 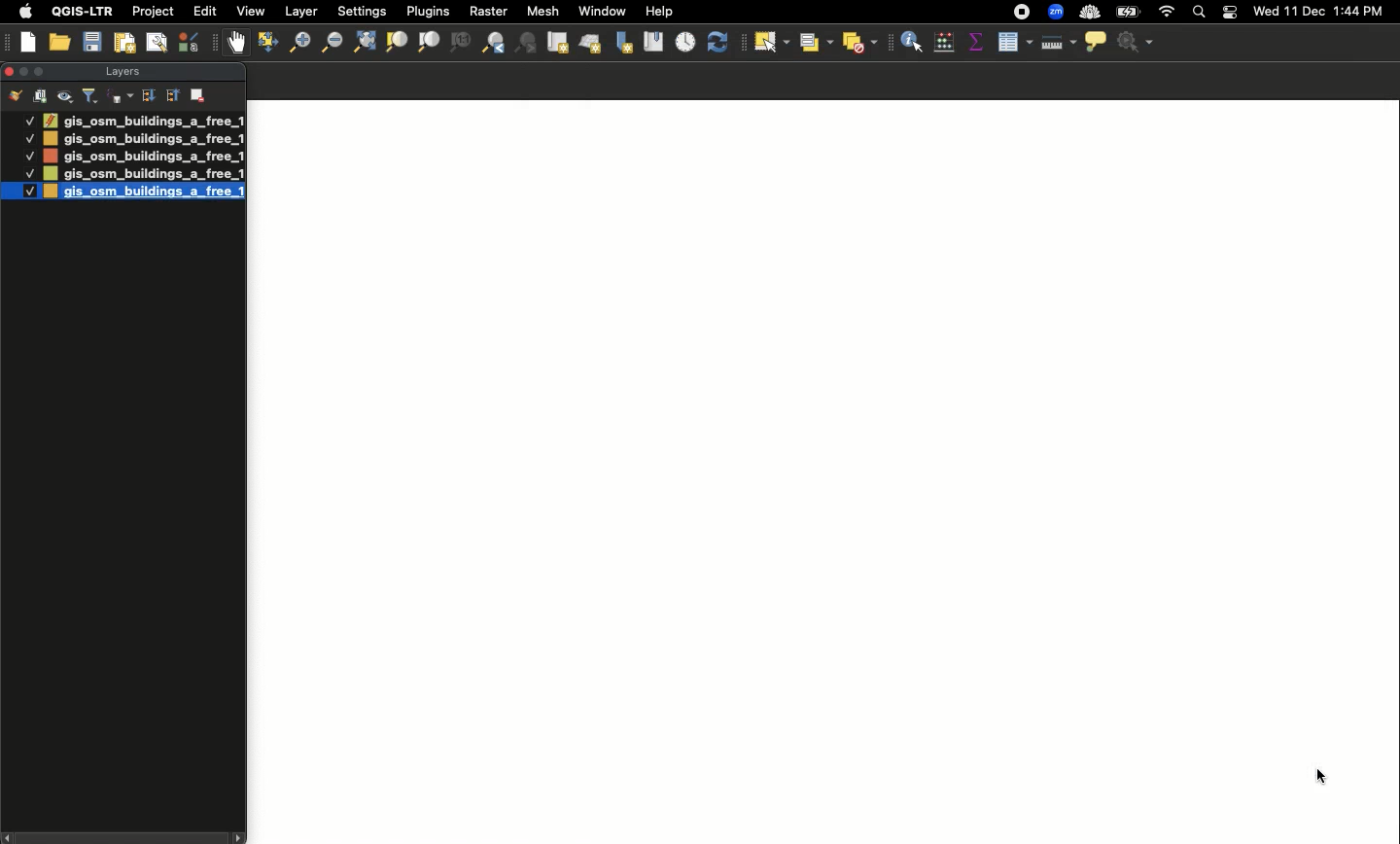 I want to click on Manage map themes, so click(x=66, y=96).